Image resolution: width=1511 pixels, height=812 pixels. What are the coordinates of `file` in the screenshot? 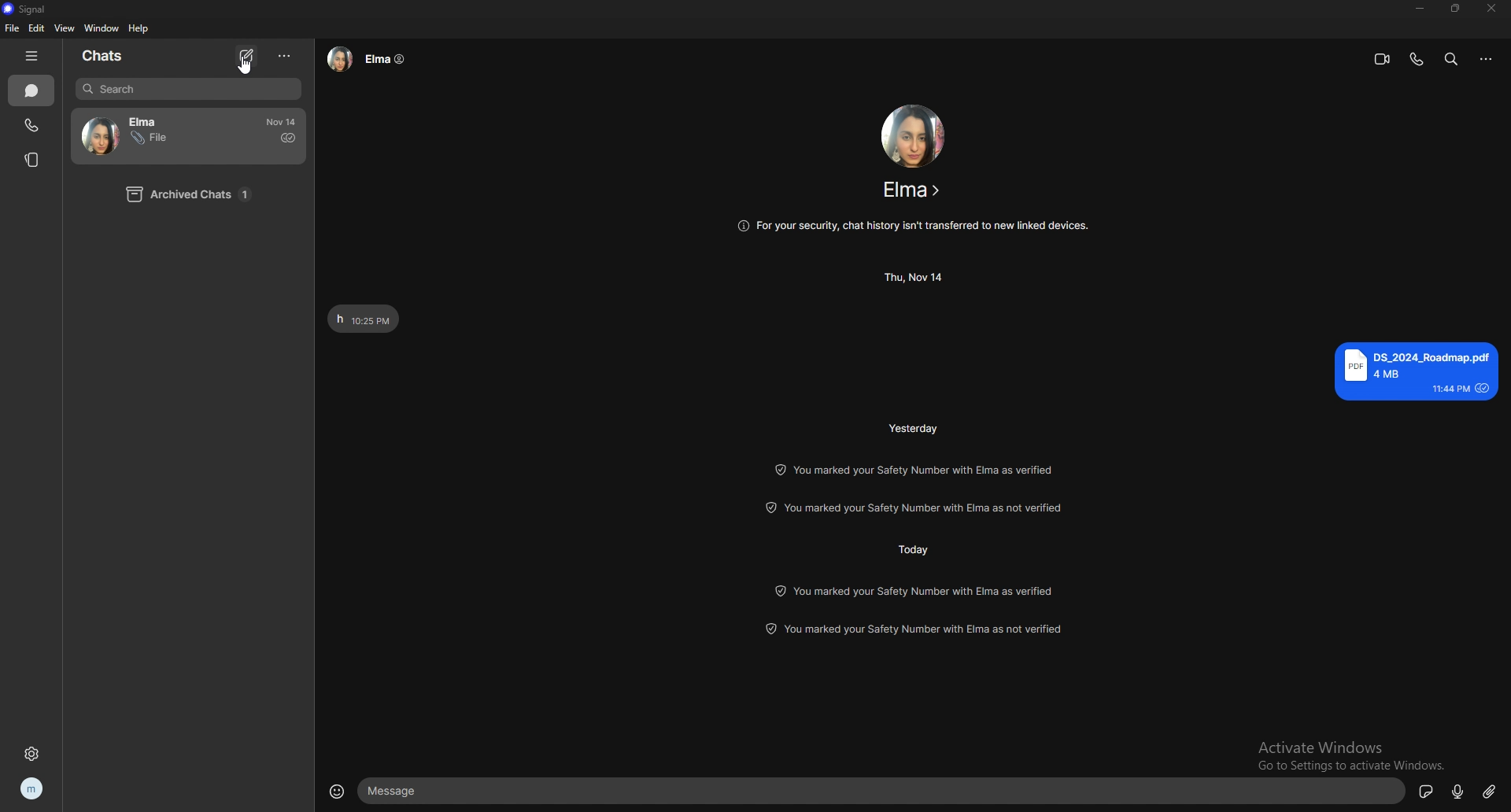 It's located at (11, 28).